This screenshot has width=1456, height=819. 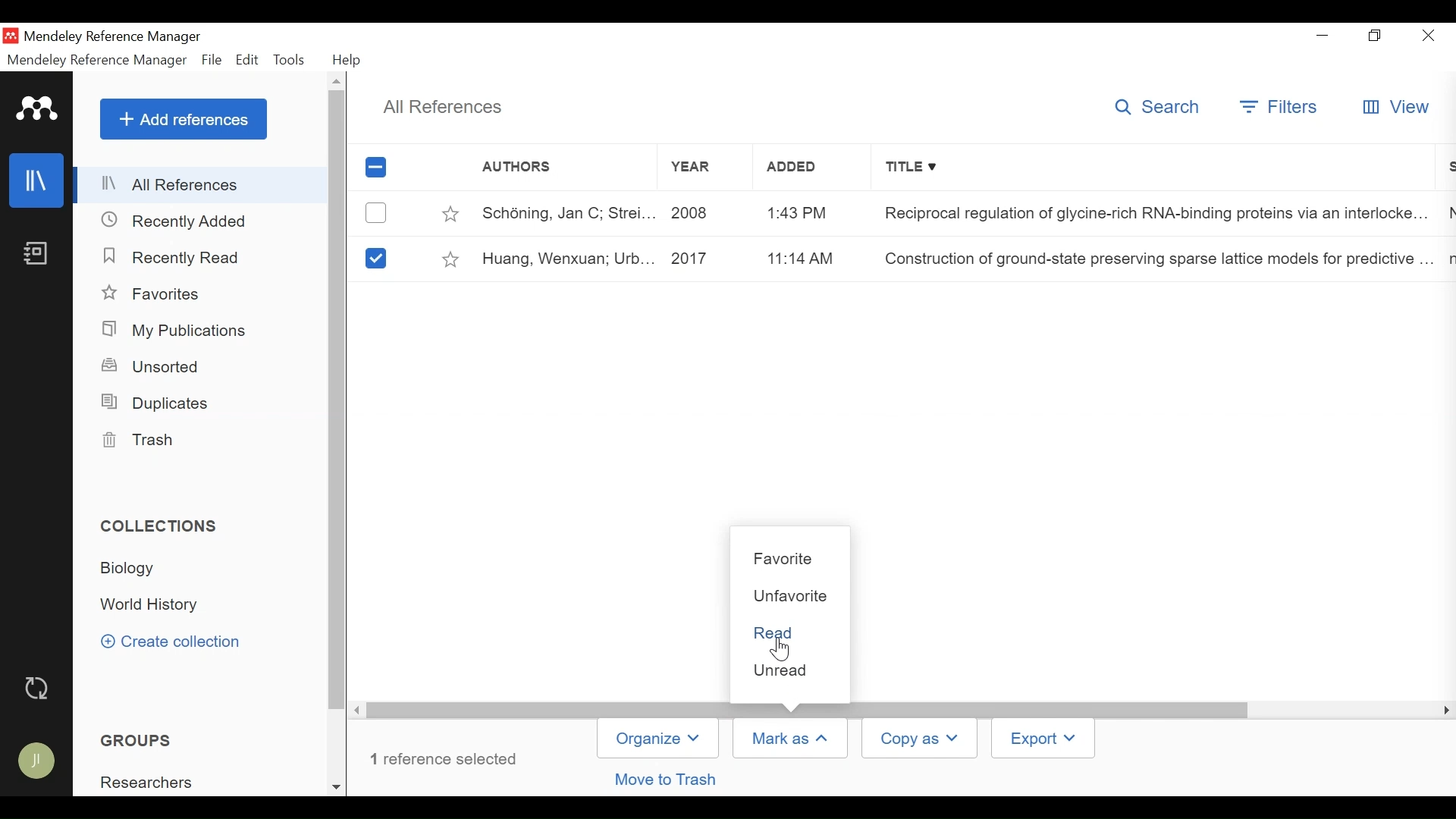 What do you see at coordinates (174, 256) in the screenshot?
I see `Recently Read` at bounding box center [174, 256].